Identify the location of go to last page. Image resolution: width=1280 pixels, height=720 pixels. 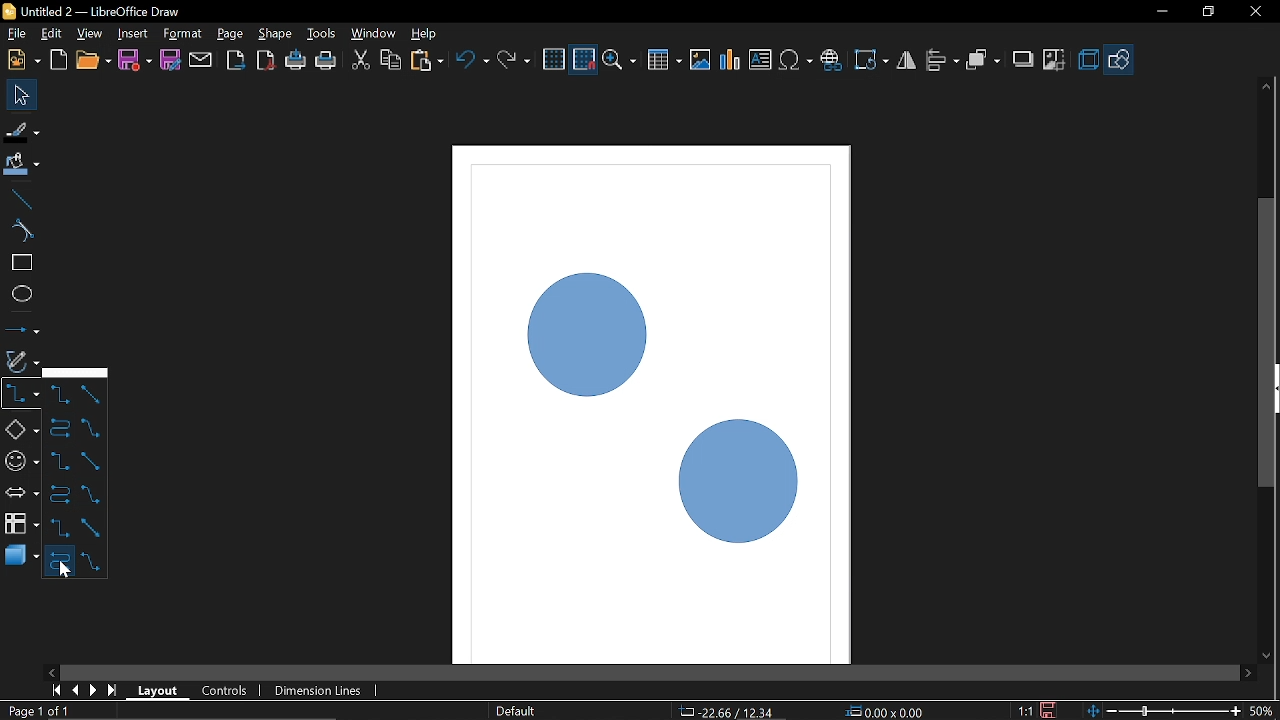
(115, 690).